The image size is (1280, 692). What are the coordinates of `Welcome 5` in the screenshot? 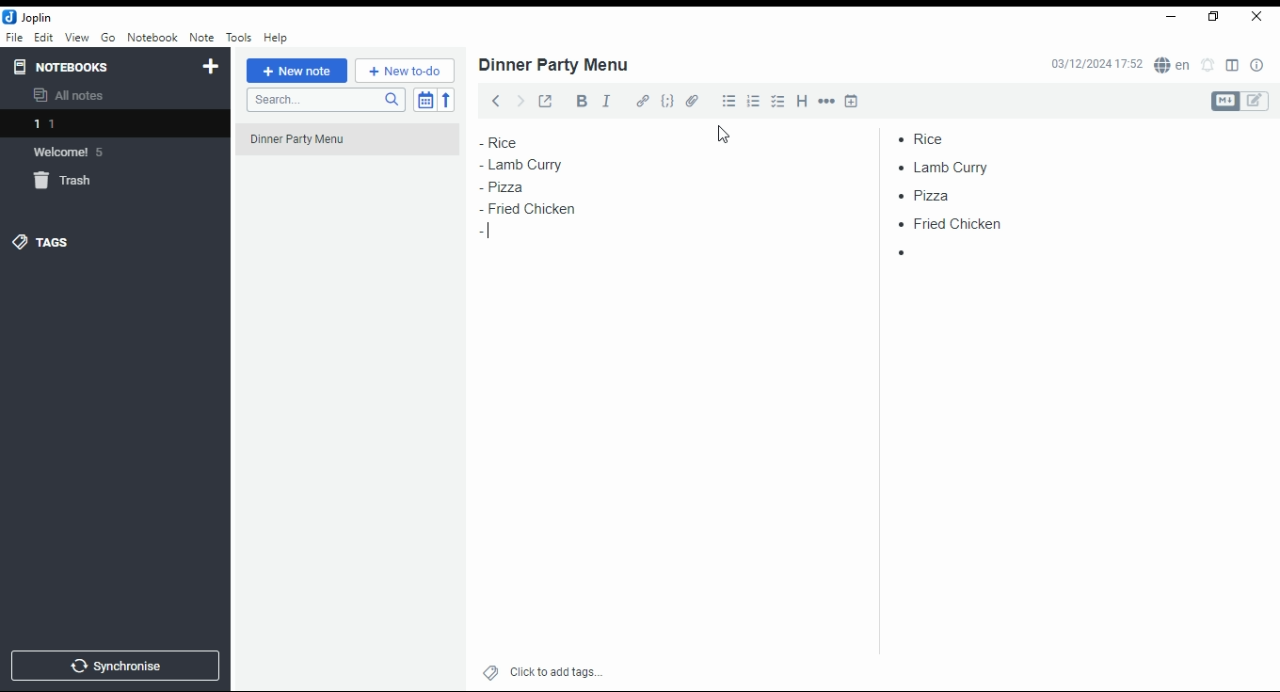 It's located at (79, 152).